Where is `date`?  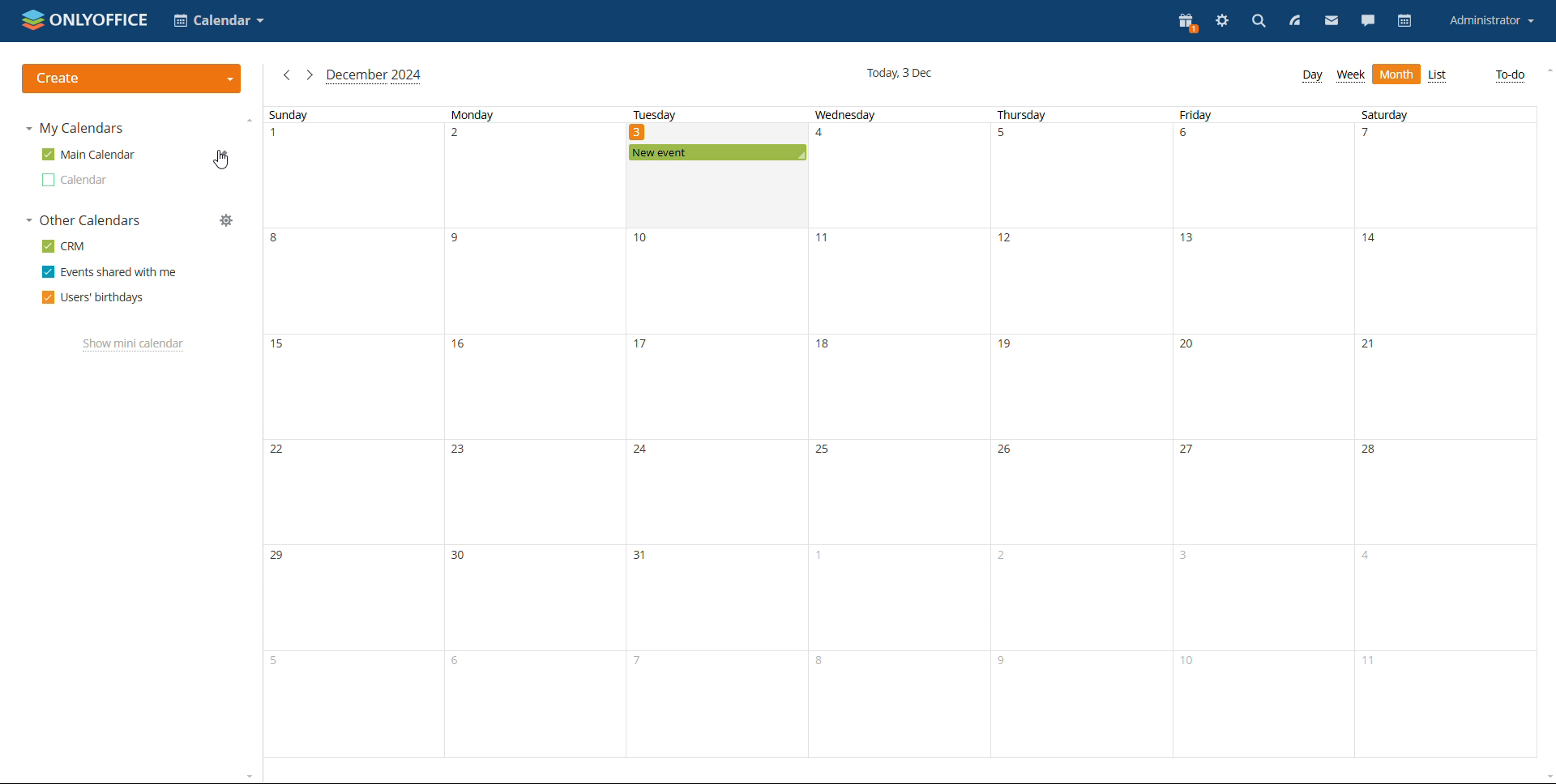 date is located at coordinates (1262, 492).